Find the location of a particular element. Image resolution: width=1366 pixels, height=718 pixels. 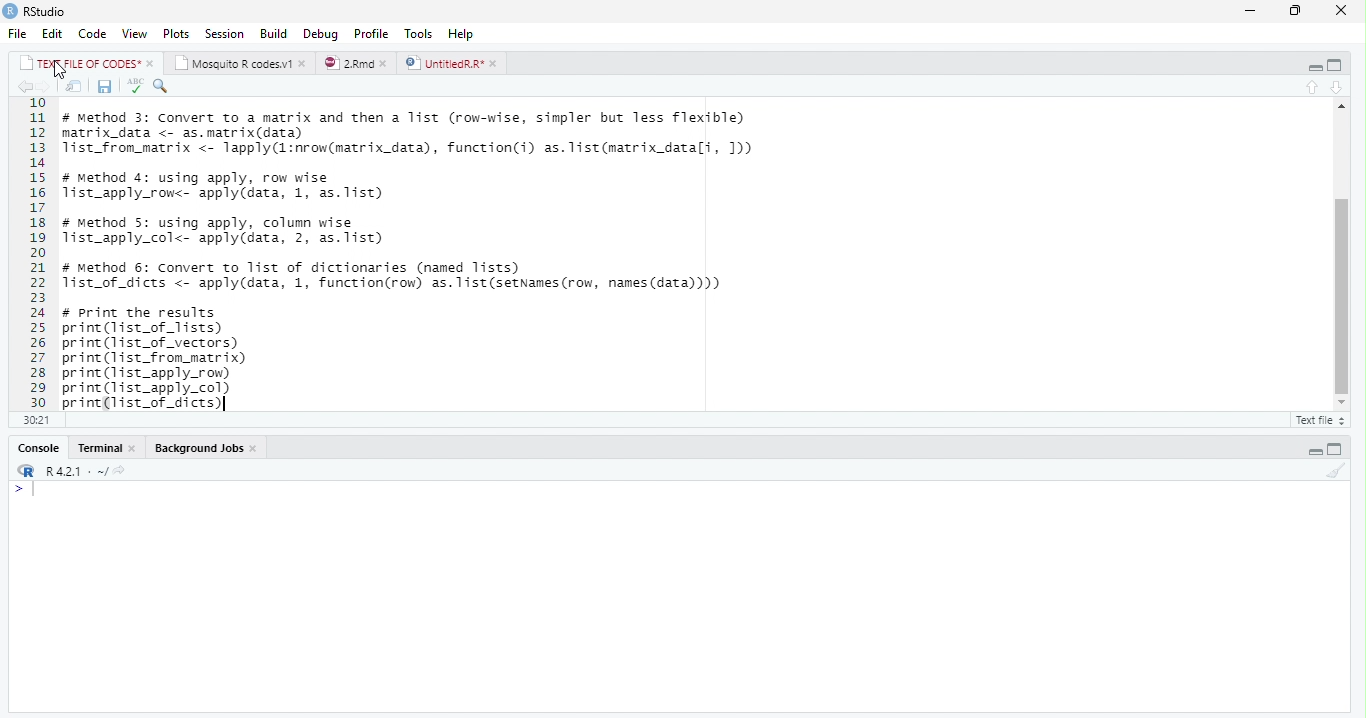

Scroll Top is located at coordinates (1339, 106).